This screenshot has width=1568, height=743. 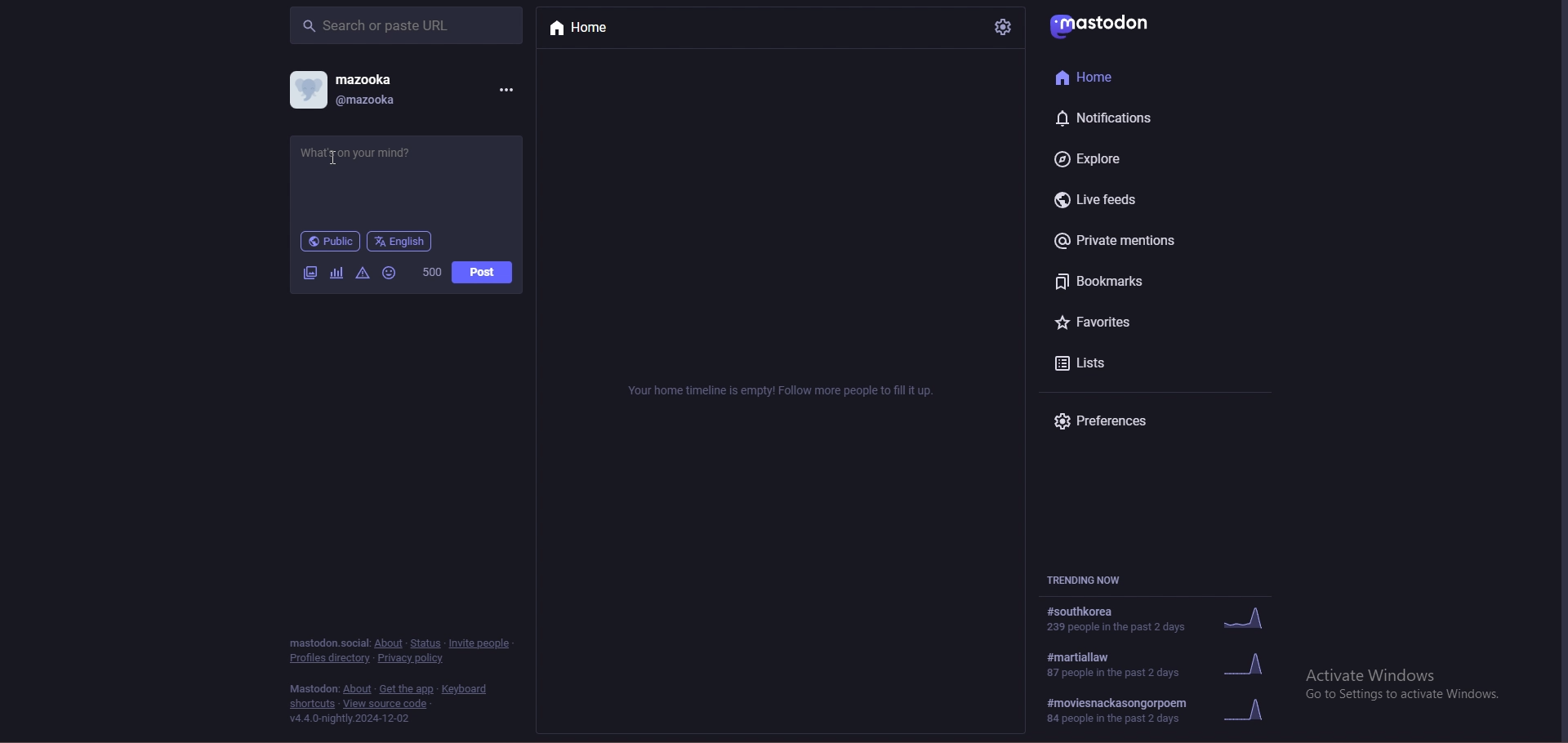 What do you see at coordinates (308, 274) in the screenshot?
I see `image` at bounding box center [308, 274].